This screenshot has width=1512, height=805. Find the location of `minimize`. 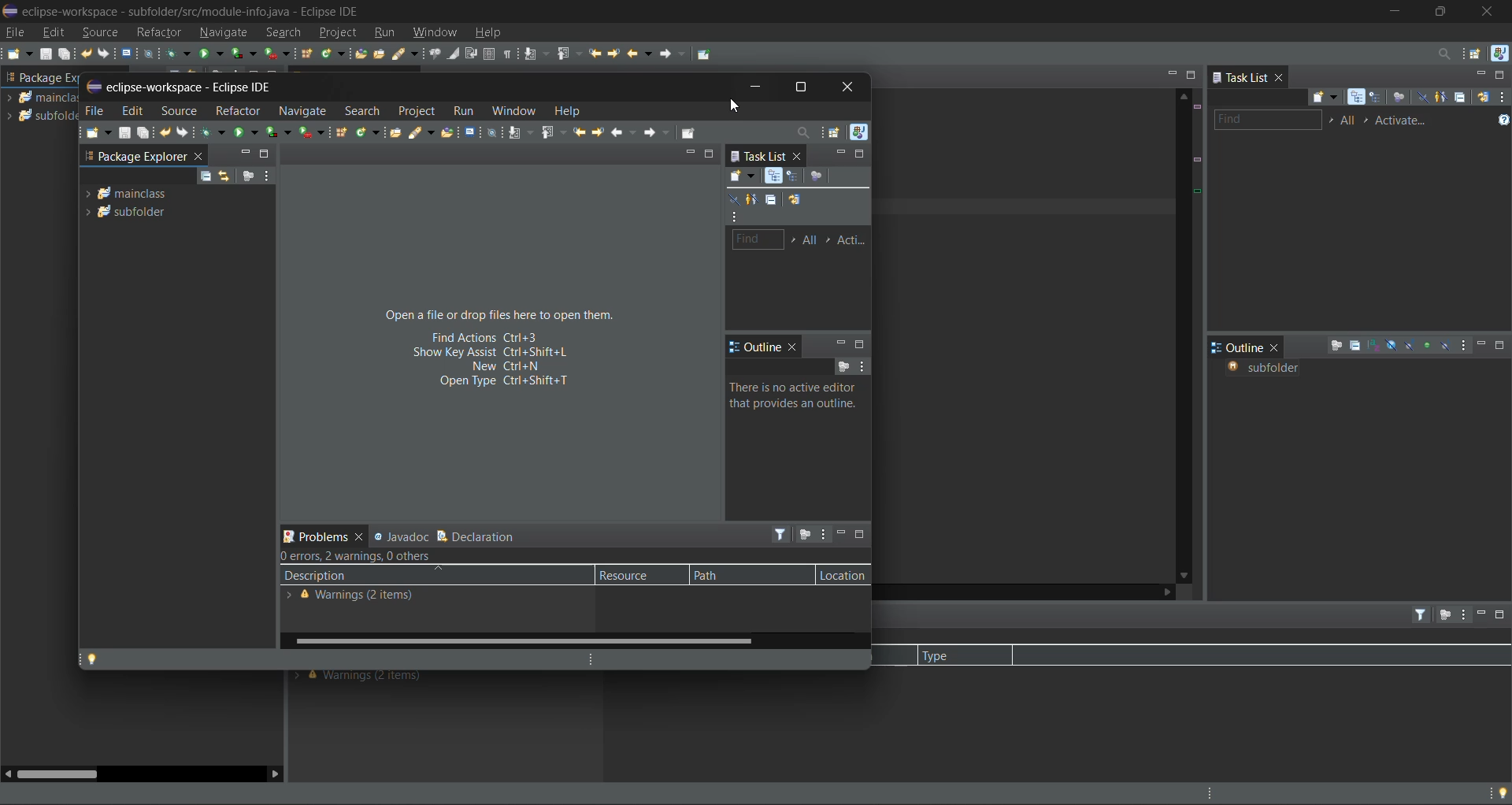

minimize is located at coordinates (1484, 614).